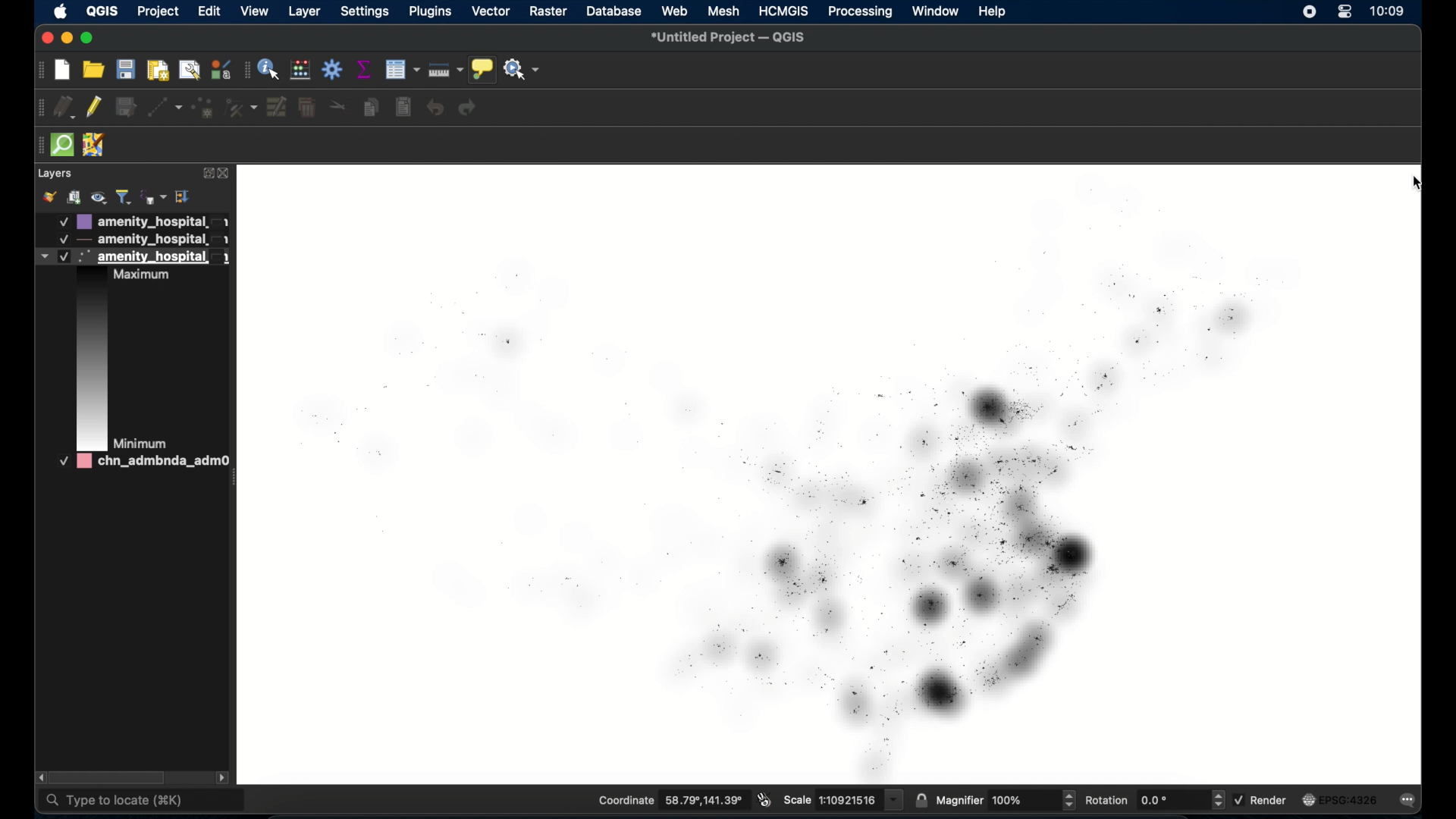  What do you see at coordinates (307, 108) in the screenshot?
I see `delete selected` at bounding box center [307, 108].